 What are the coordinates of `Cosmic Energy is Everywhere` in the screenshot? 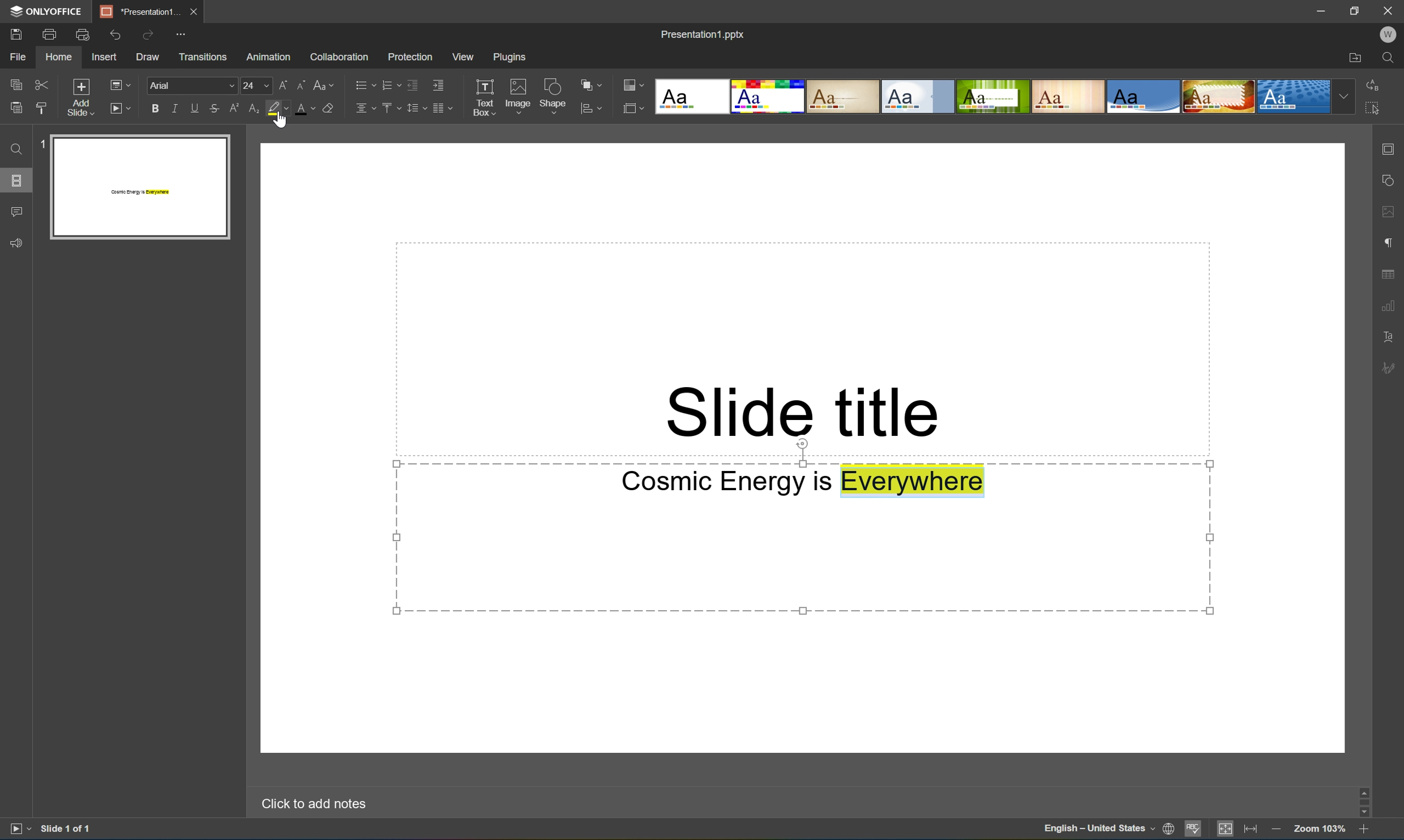 It's located at (802, 484).